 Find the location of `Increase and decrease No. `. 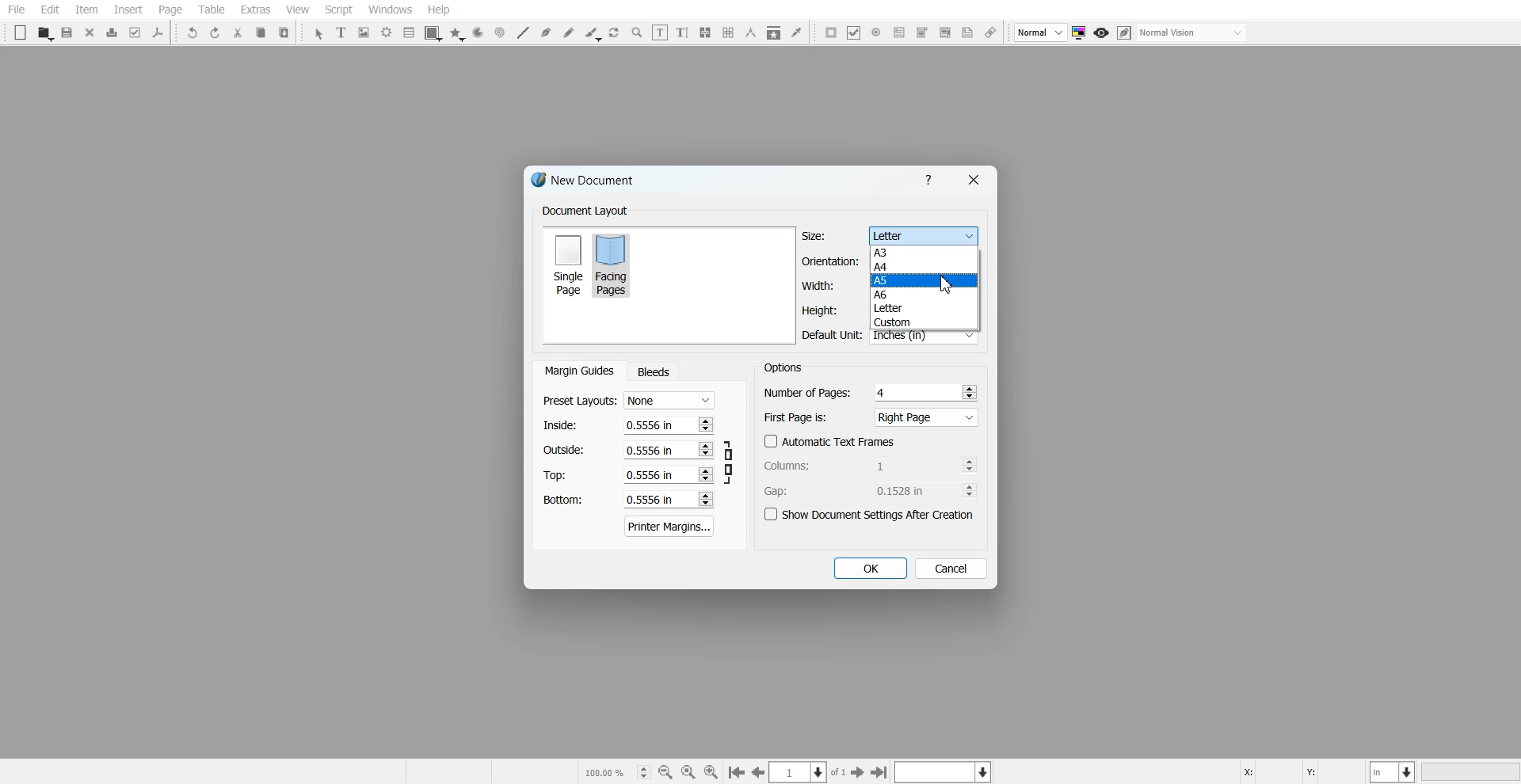

Increase and decrease No.  is located at coordinates (706, 450).